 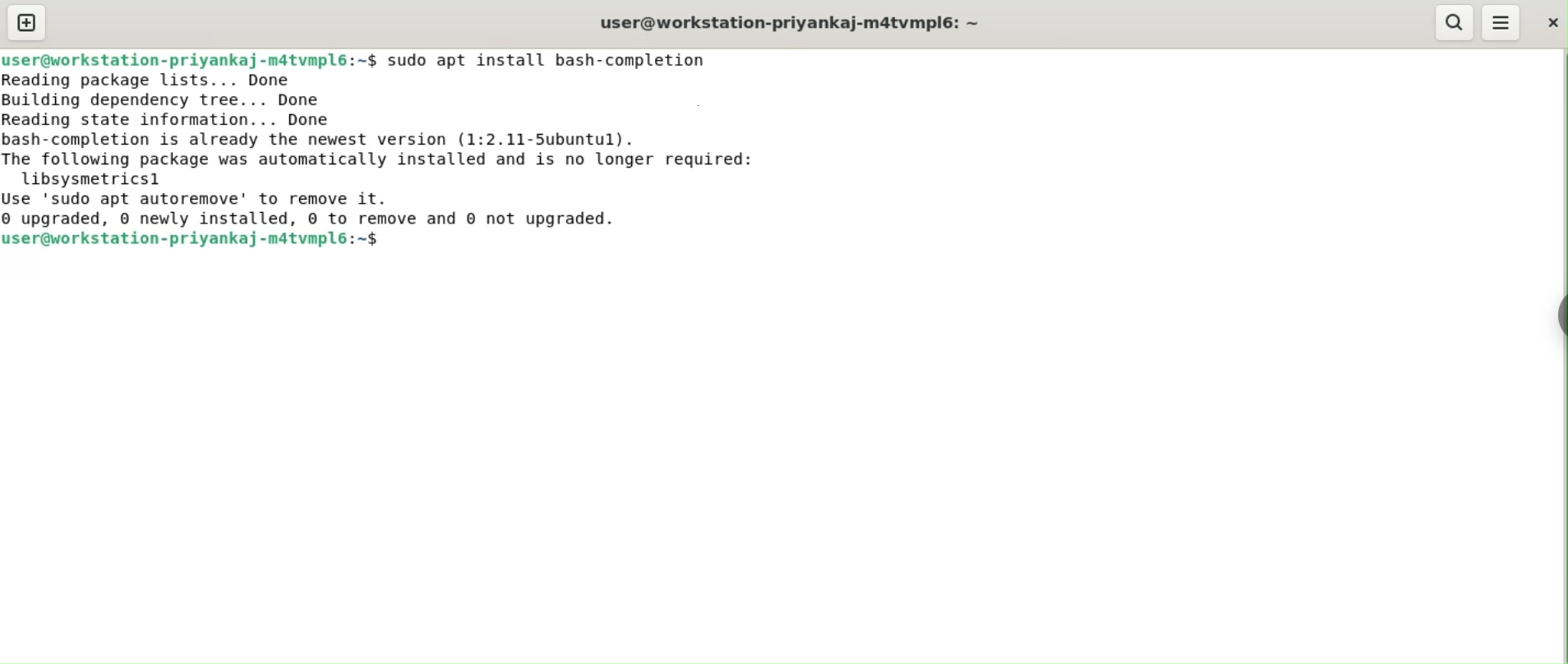 What do you see at coordinates (1502, 22) in the screenshot?
I see `menu` at bounding box center [1502, 22].